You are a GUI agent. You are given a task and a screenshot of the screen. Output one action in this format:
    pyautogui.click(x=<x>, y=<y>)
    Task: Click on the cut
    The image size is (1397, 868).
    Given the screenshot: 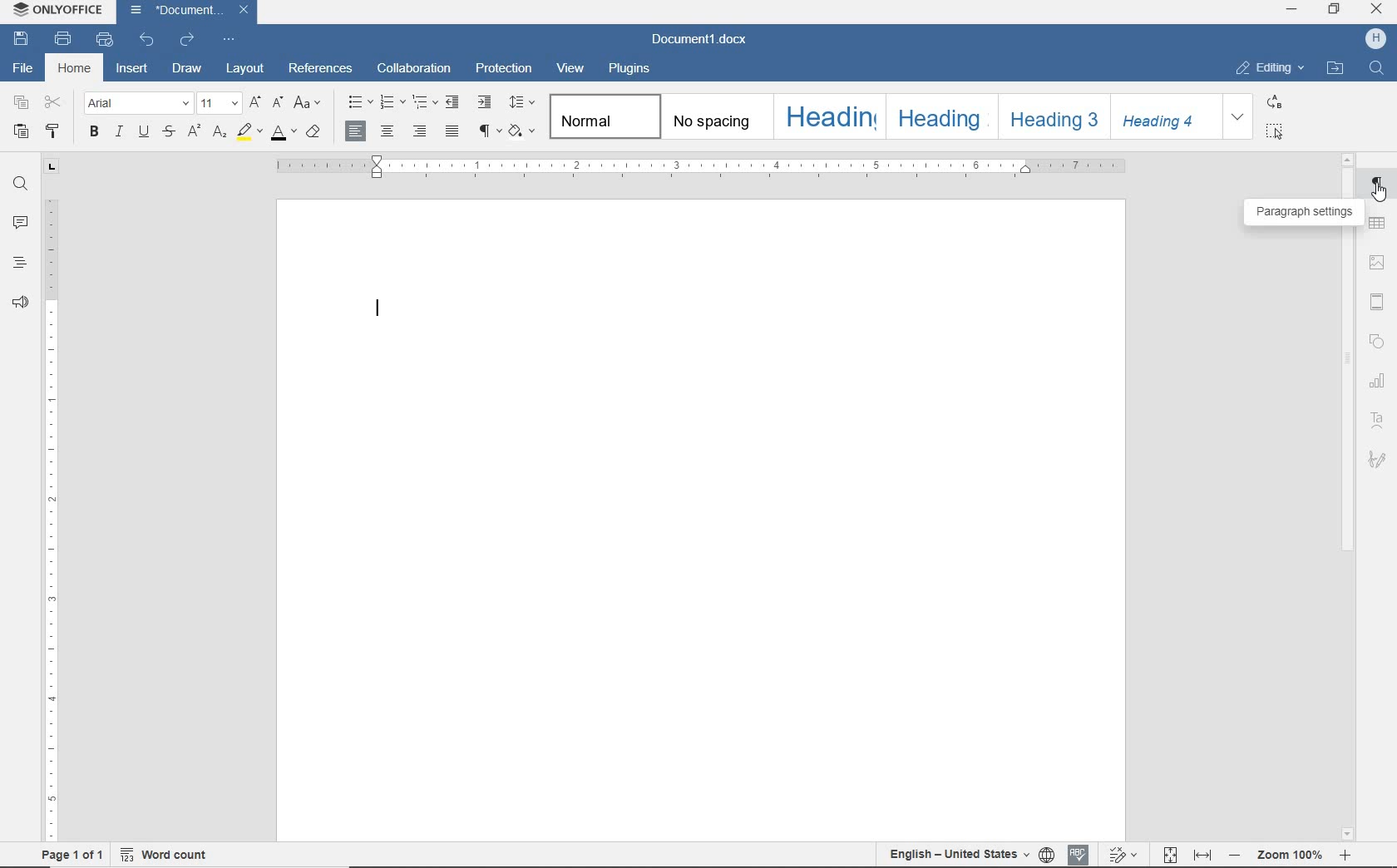 What is the action you would take?
    pyautogui.click(x=54, y=104)
    